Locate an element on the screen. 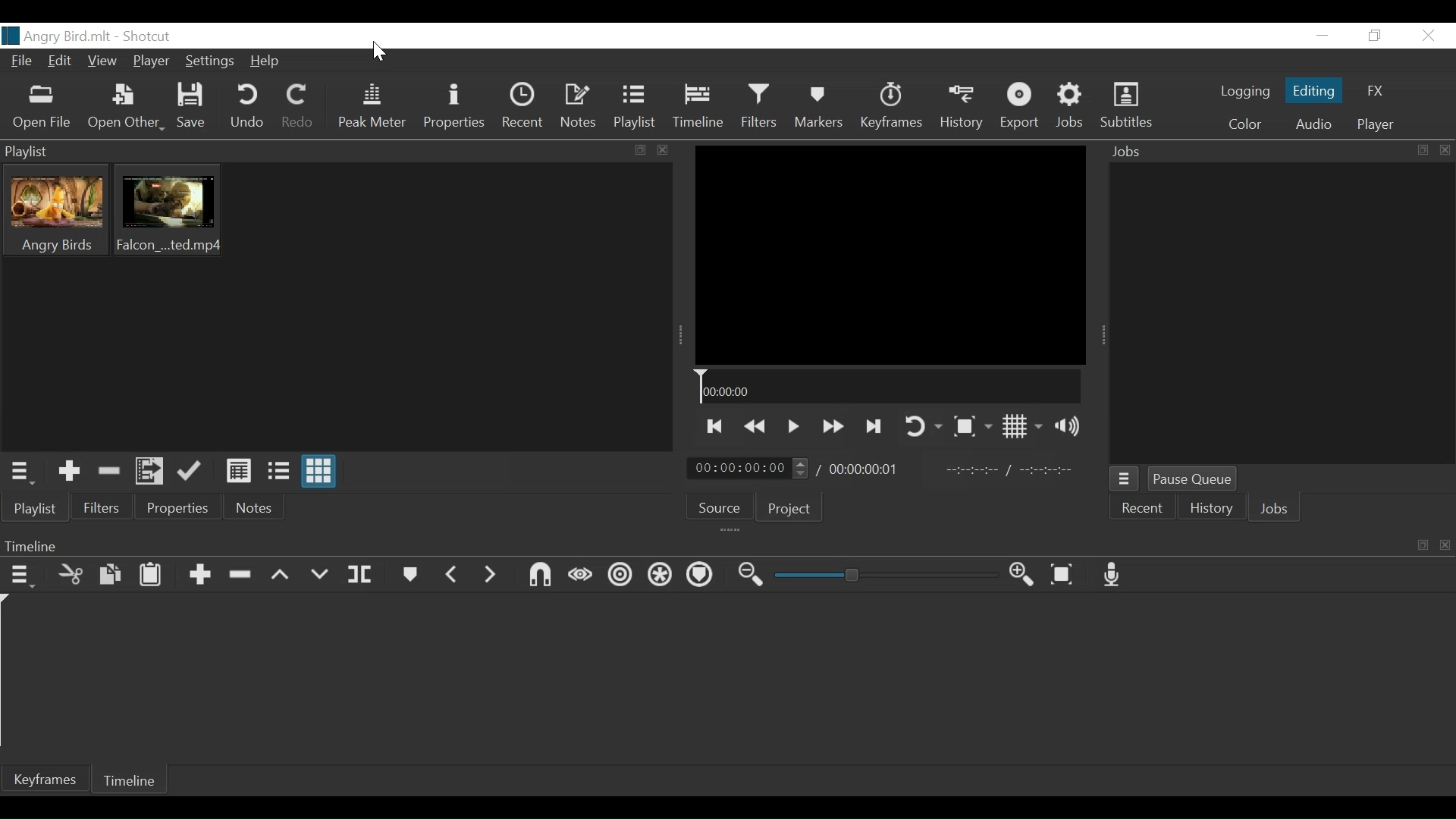 This screenshot has height=819, width=1456. Add files to the playlist is located at coordinates (151, 472).